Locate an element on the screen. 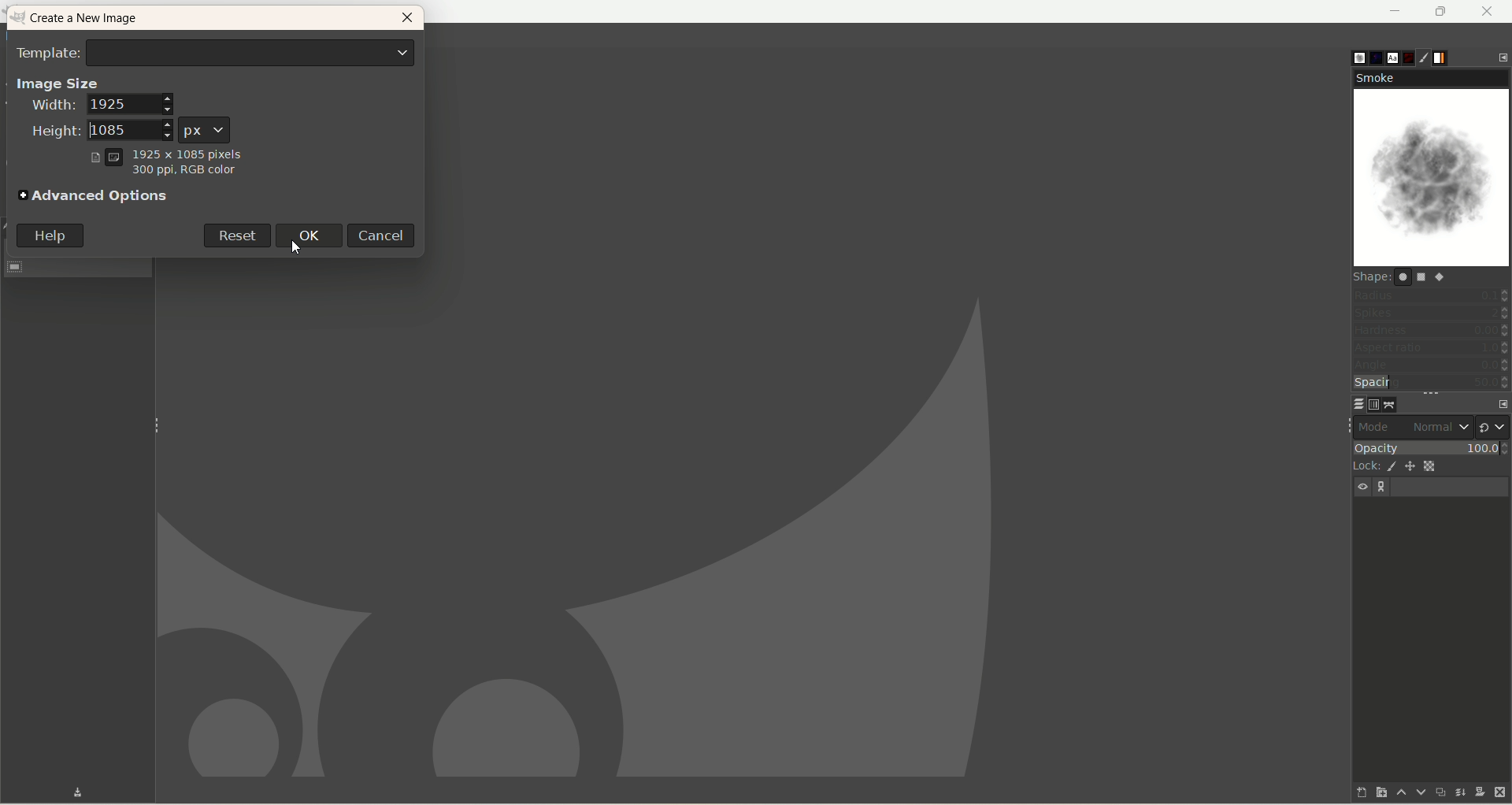 The height and width of the screenshot is (805, 1512). minimize is located at coordinates (1396, 11).